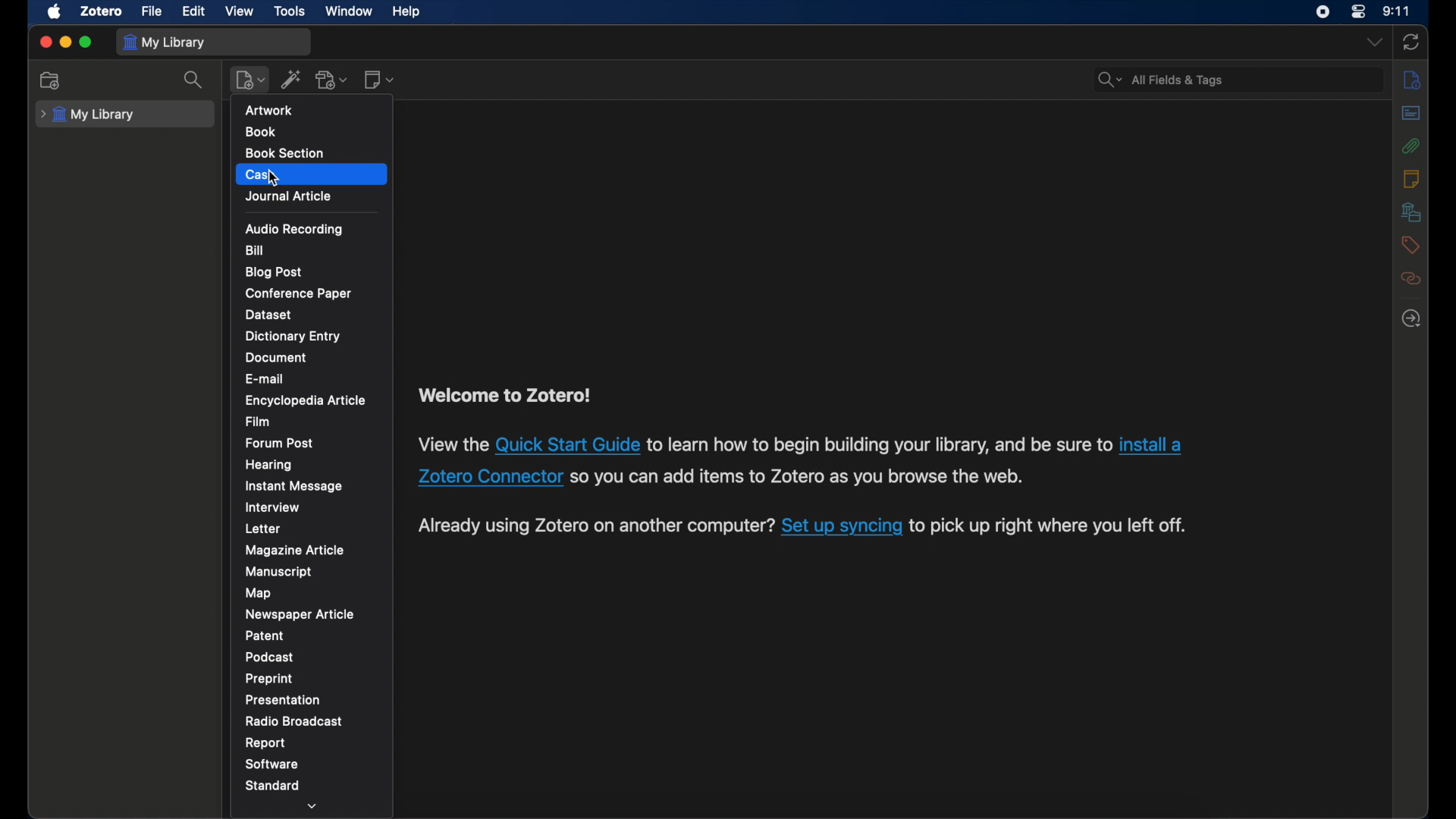 This screenshot has height=819, width=1456. I want to click on add attachment, so click(333, 80).